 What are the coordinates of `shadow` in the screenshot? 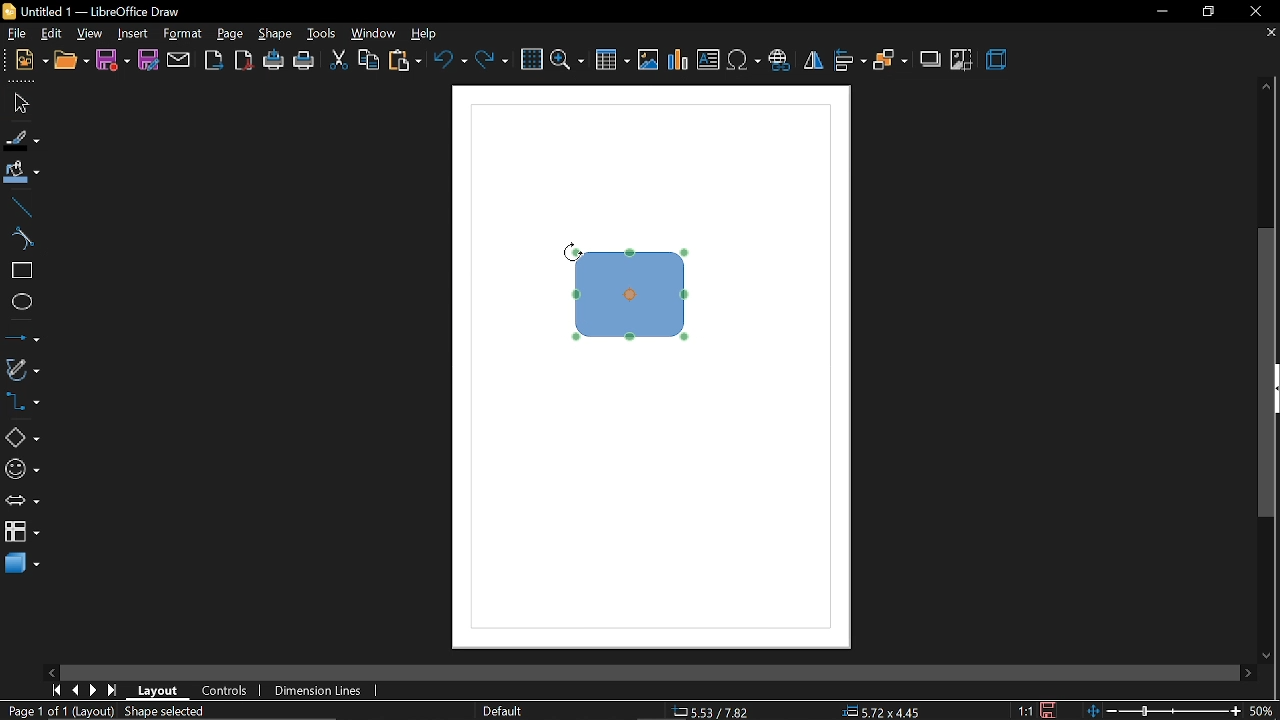 It's located at (929, 60).